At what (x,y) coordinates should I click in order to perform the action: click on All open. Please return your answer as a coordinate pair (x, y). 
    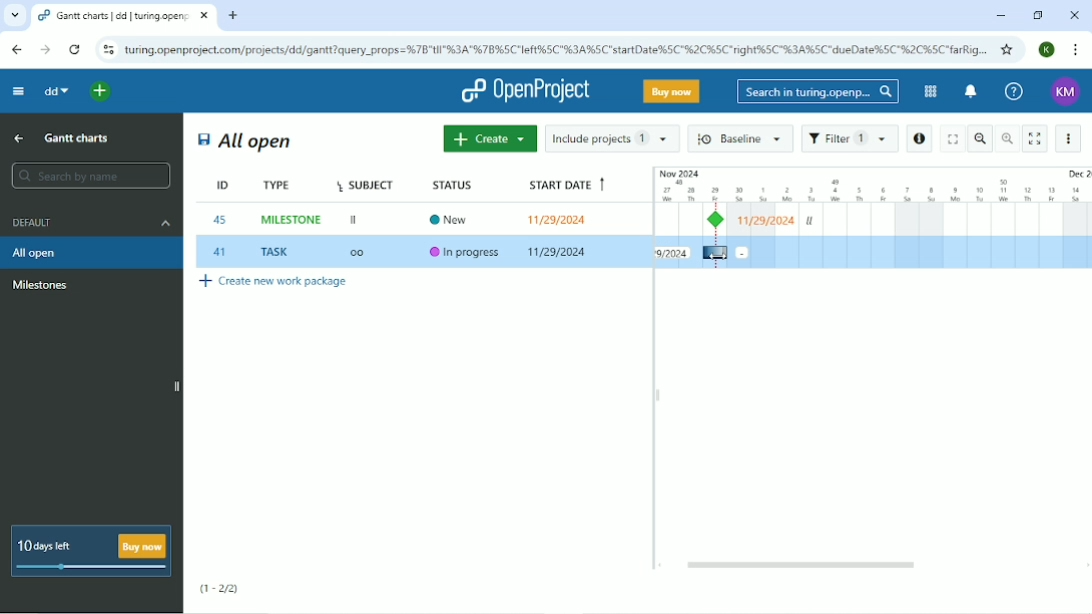
    Looking at the image, I should click on (92, 252).